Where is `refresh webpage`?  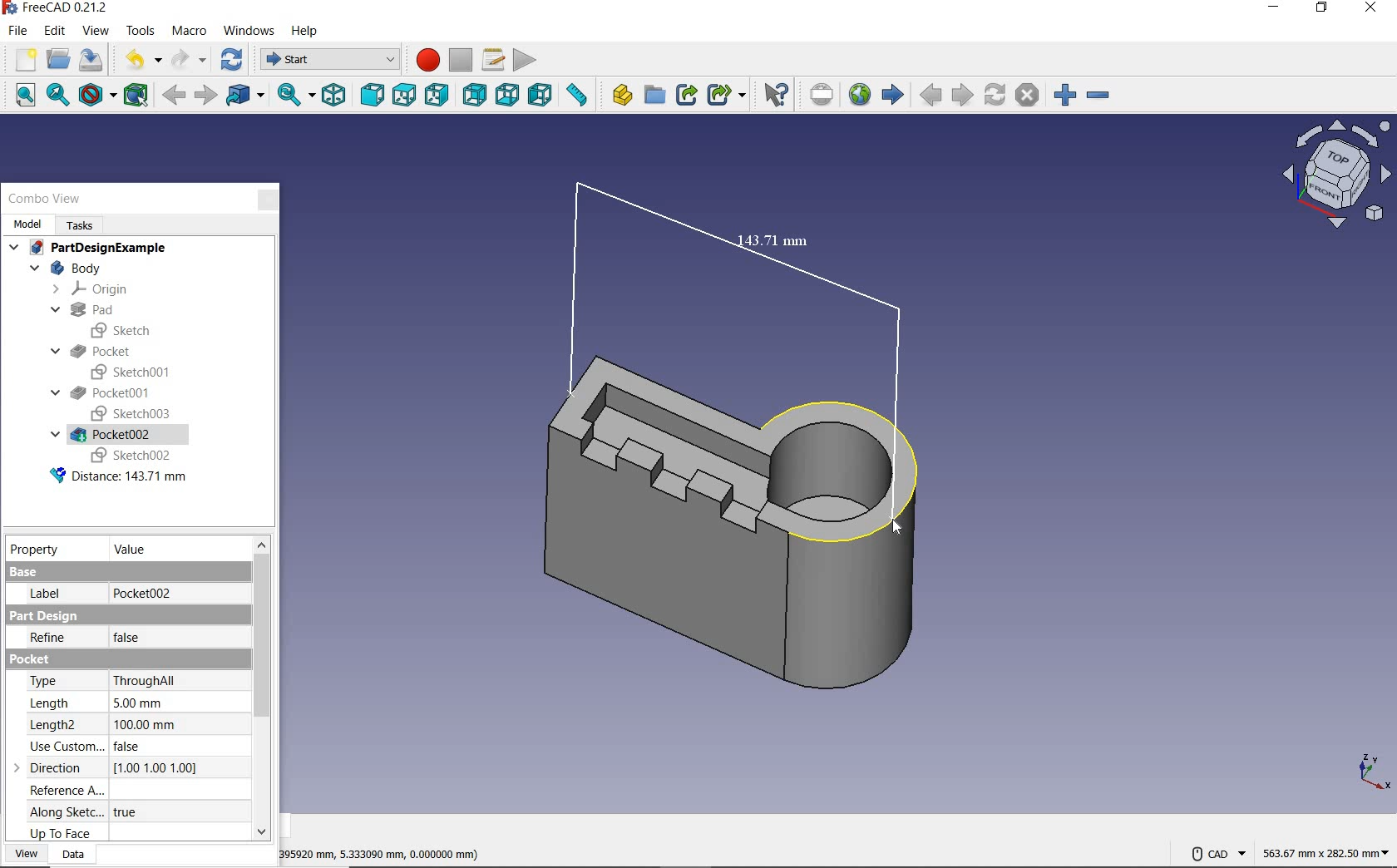
refresh webpage is located at coordinates (994, 94).